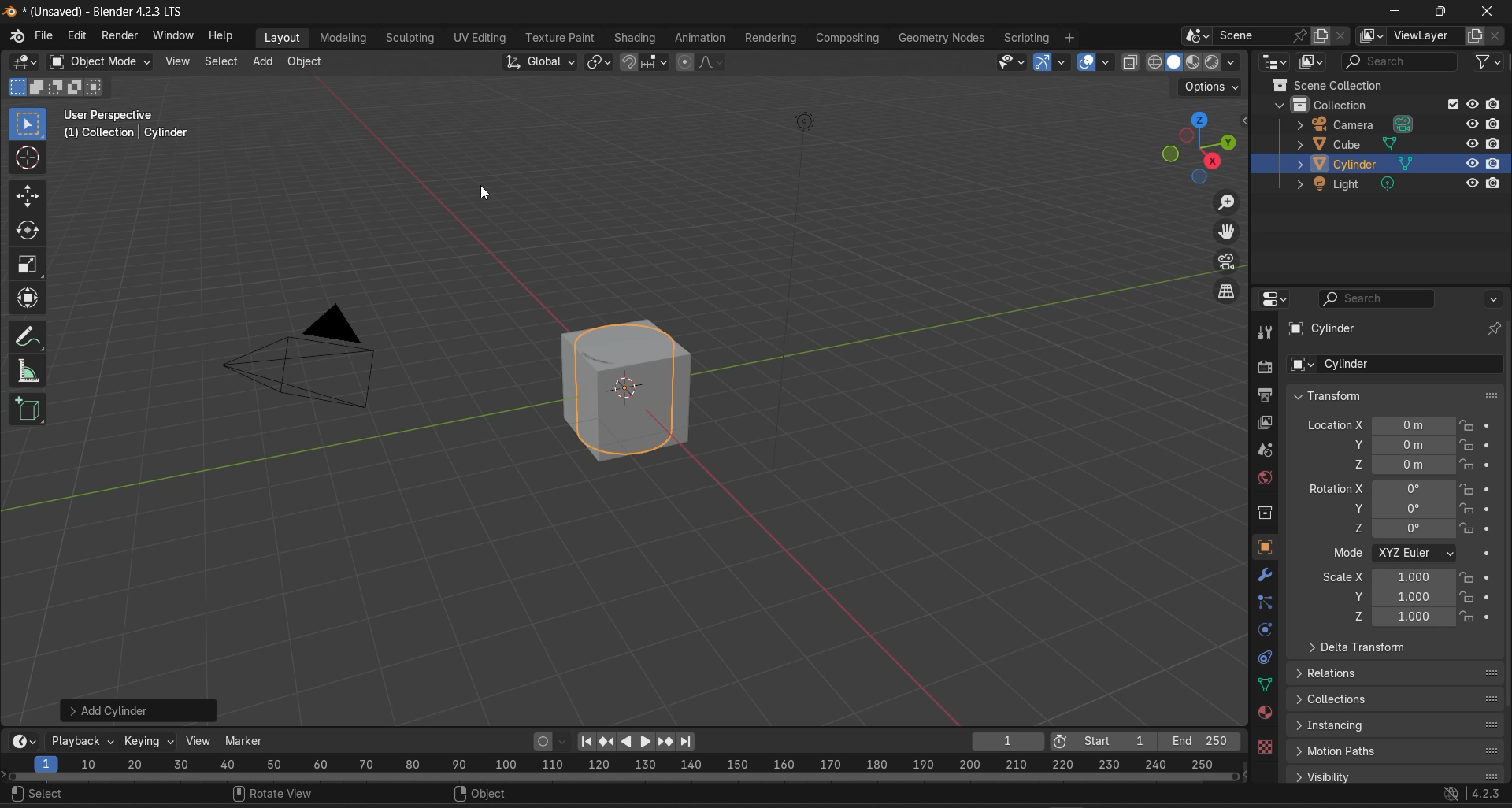 The height and width of the screenshot is (808, 1512). I want to click on add workspace, so click(1071, 35).